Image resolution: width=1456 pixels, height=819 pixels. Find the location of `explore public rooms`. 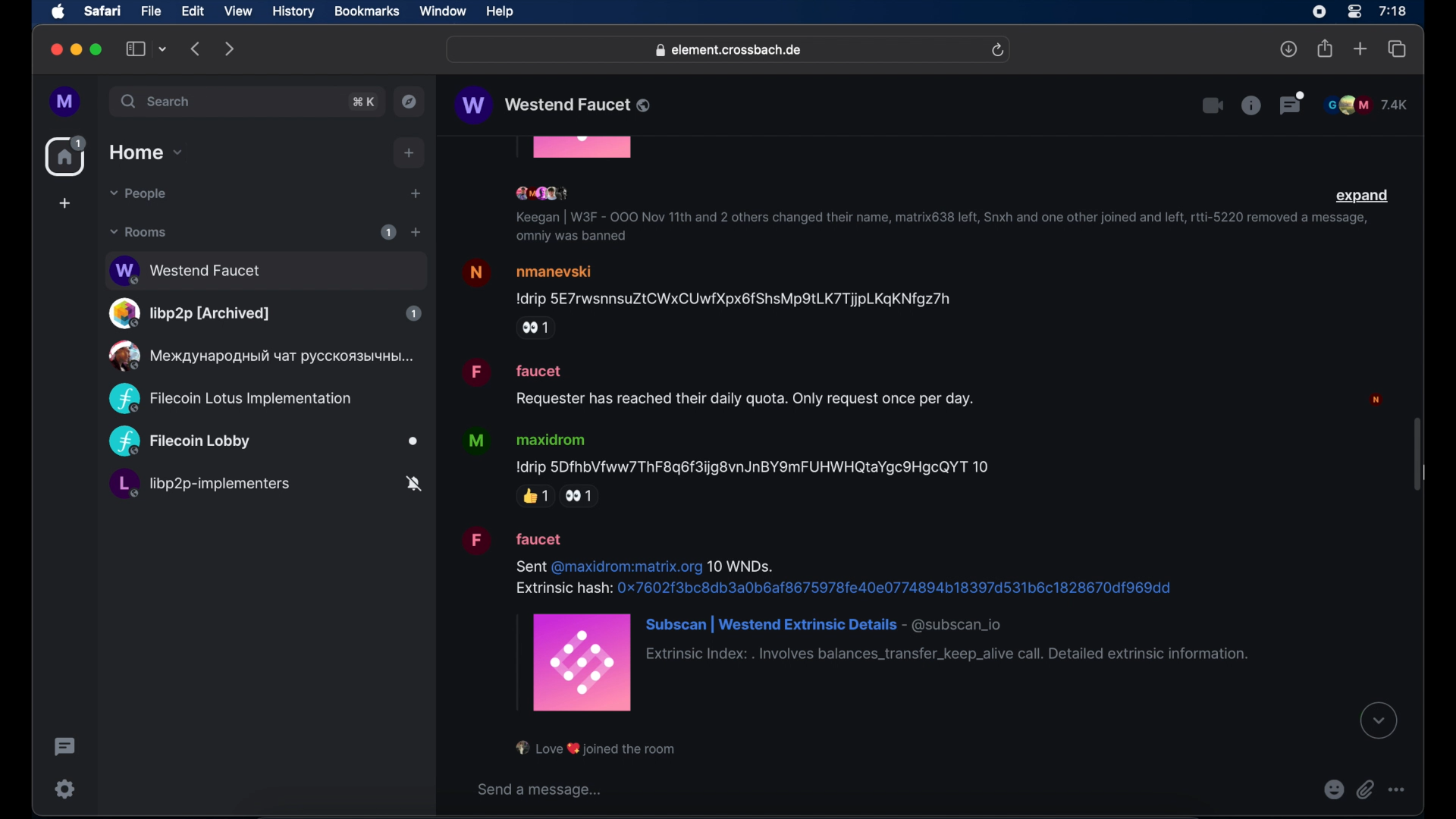

explore public rooms is located at coordinates (409, 102).